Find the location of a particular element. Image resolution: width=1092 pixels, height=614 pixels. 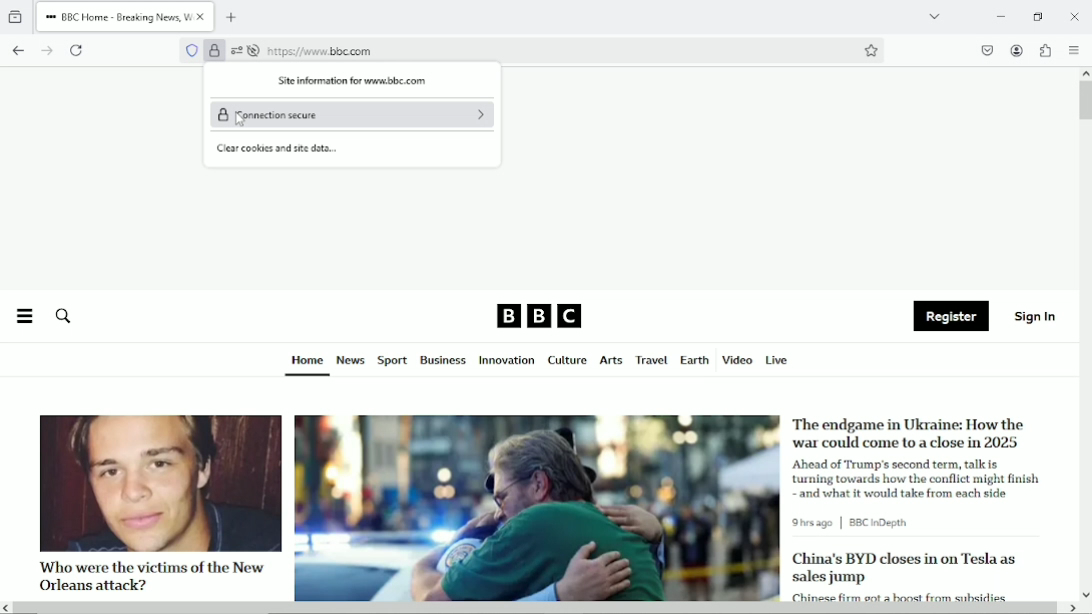

Accounts is located at coordinates (1015, 48).